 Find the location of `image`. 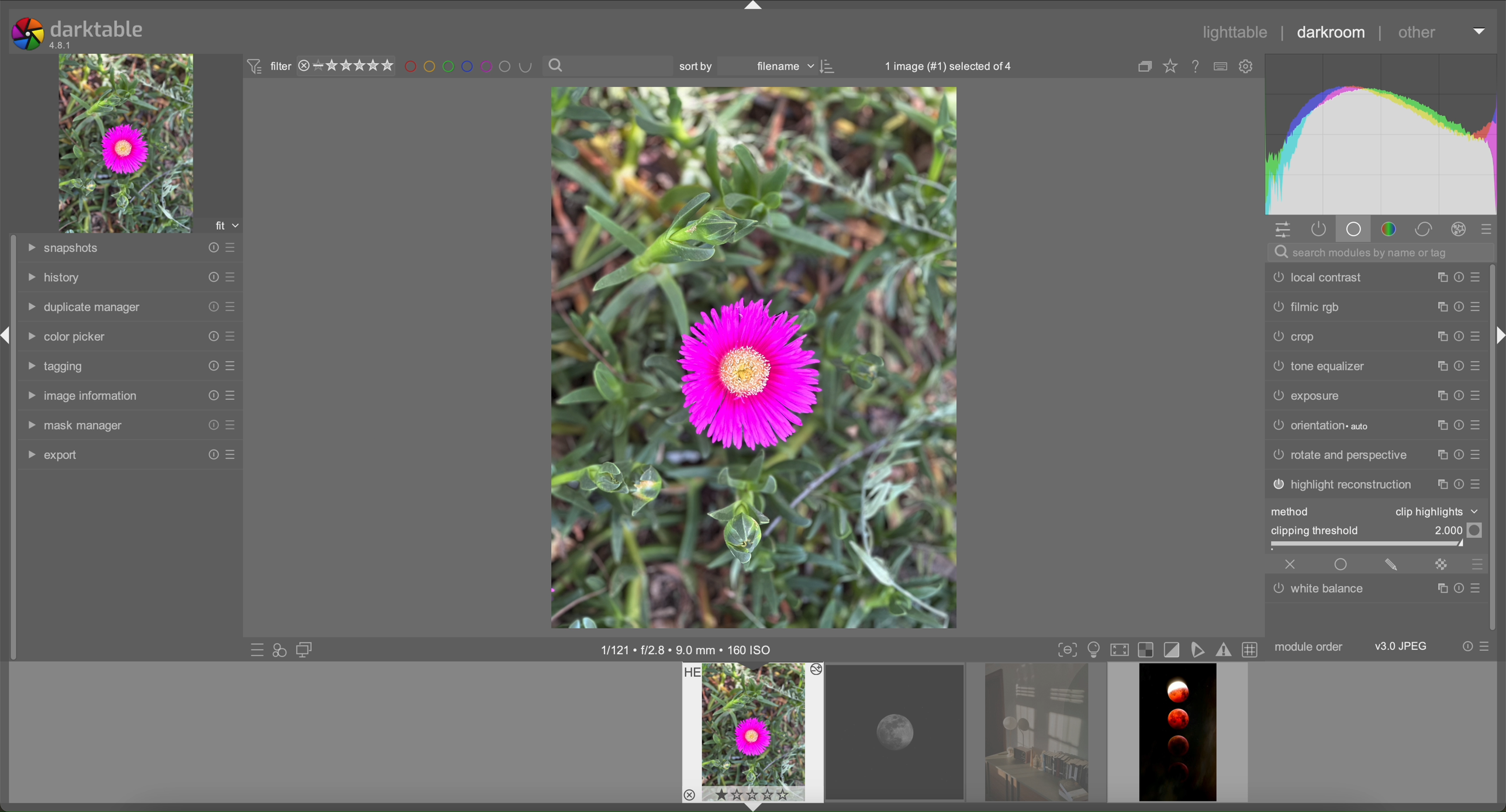

image is located at coordinates (128, 143).